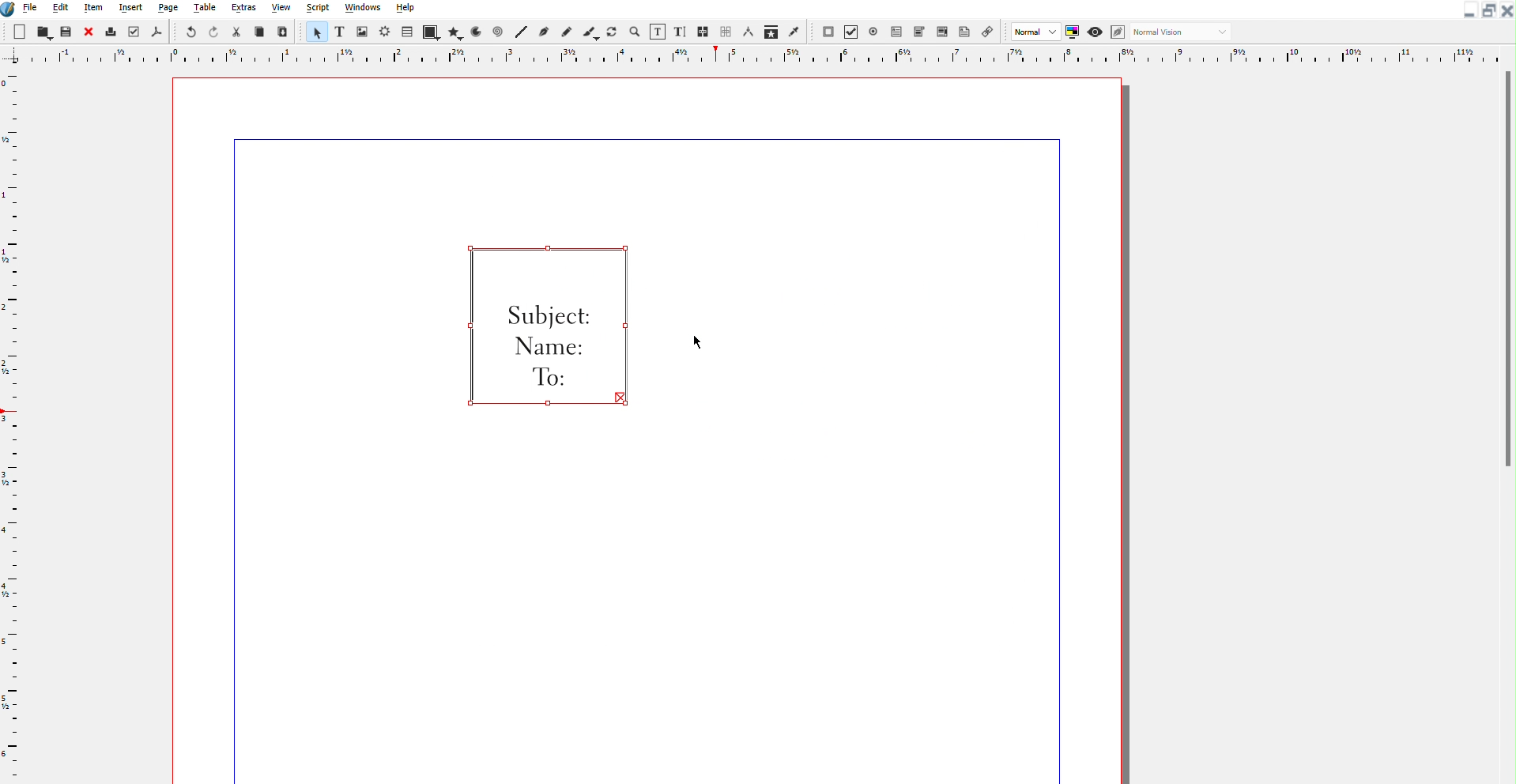 The height and width of the screenshot is (784, 1516). What do you see at coordinates (656, 31) in the screenshot?
I see `Textbox` at bounding box center [656, 31].